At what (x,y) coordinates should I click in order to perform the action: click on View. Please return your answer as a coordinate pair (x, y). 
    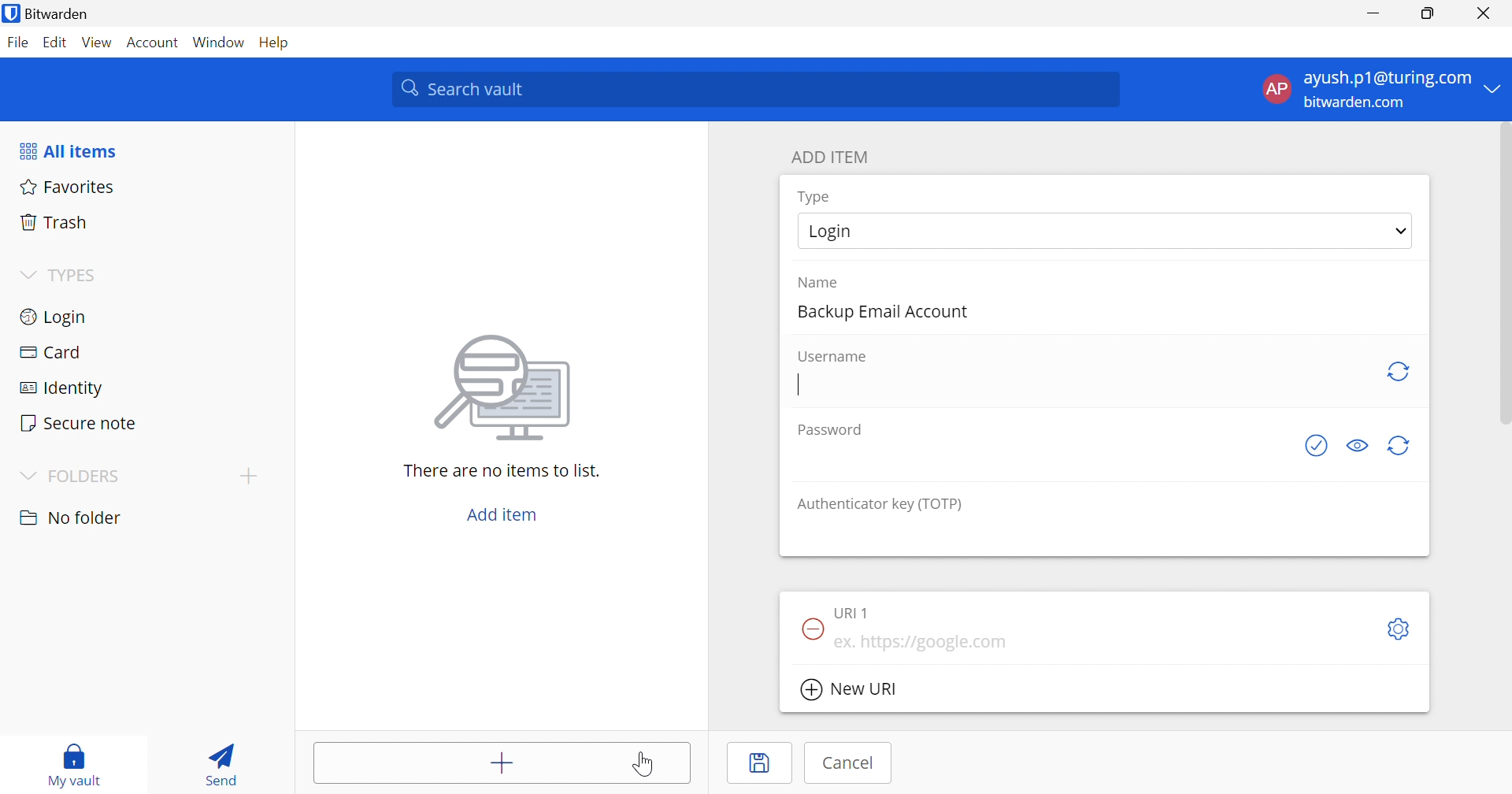
    Looking at the image, I should click on (98, 43).